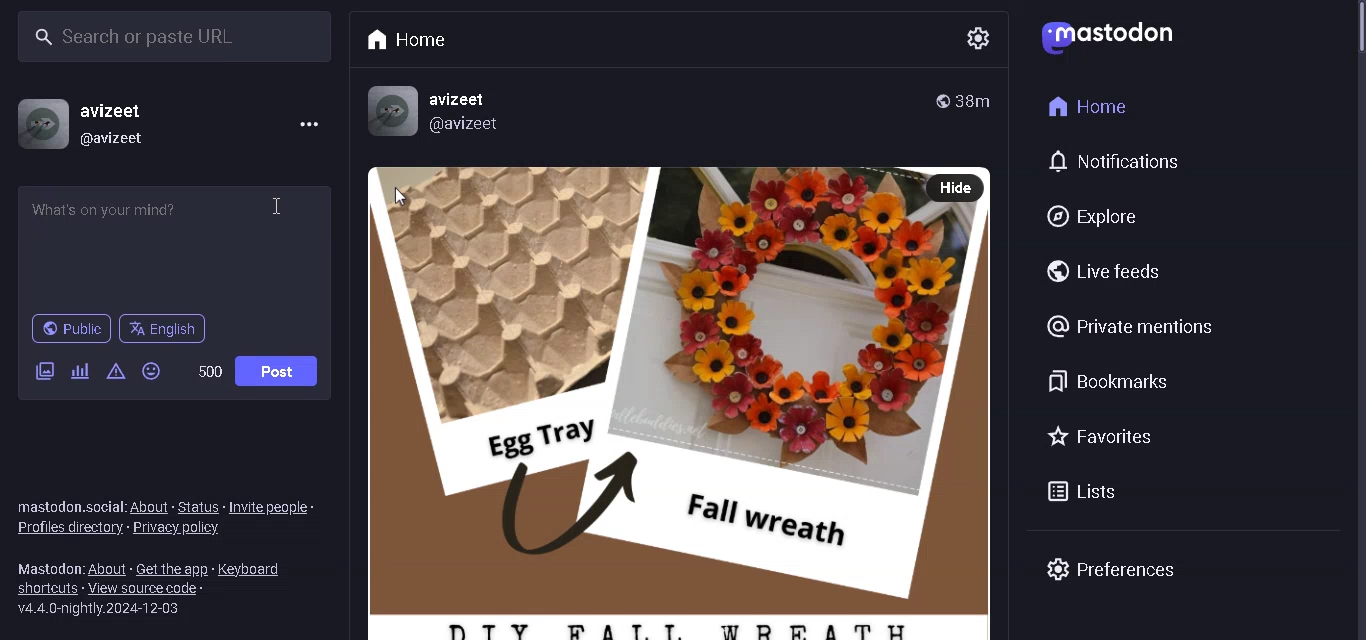 The image size is (1366, 640). Describe the element at coordinates (151, 508) in the screenshot. I see `about` at that location.